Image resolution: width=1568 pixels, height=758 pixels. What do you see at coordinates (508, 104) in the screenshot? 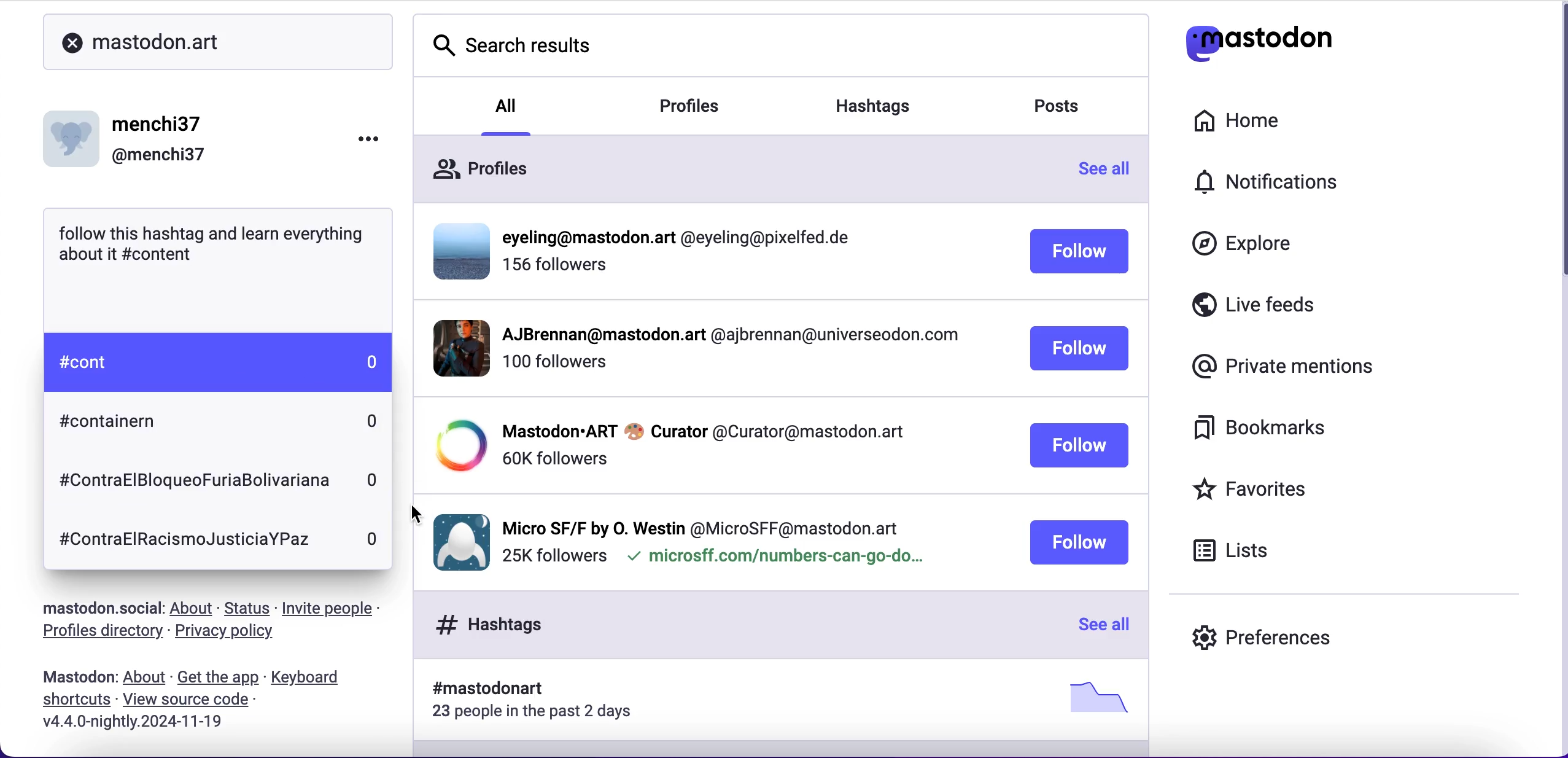
I see `all` at bounding box center [508, 104].